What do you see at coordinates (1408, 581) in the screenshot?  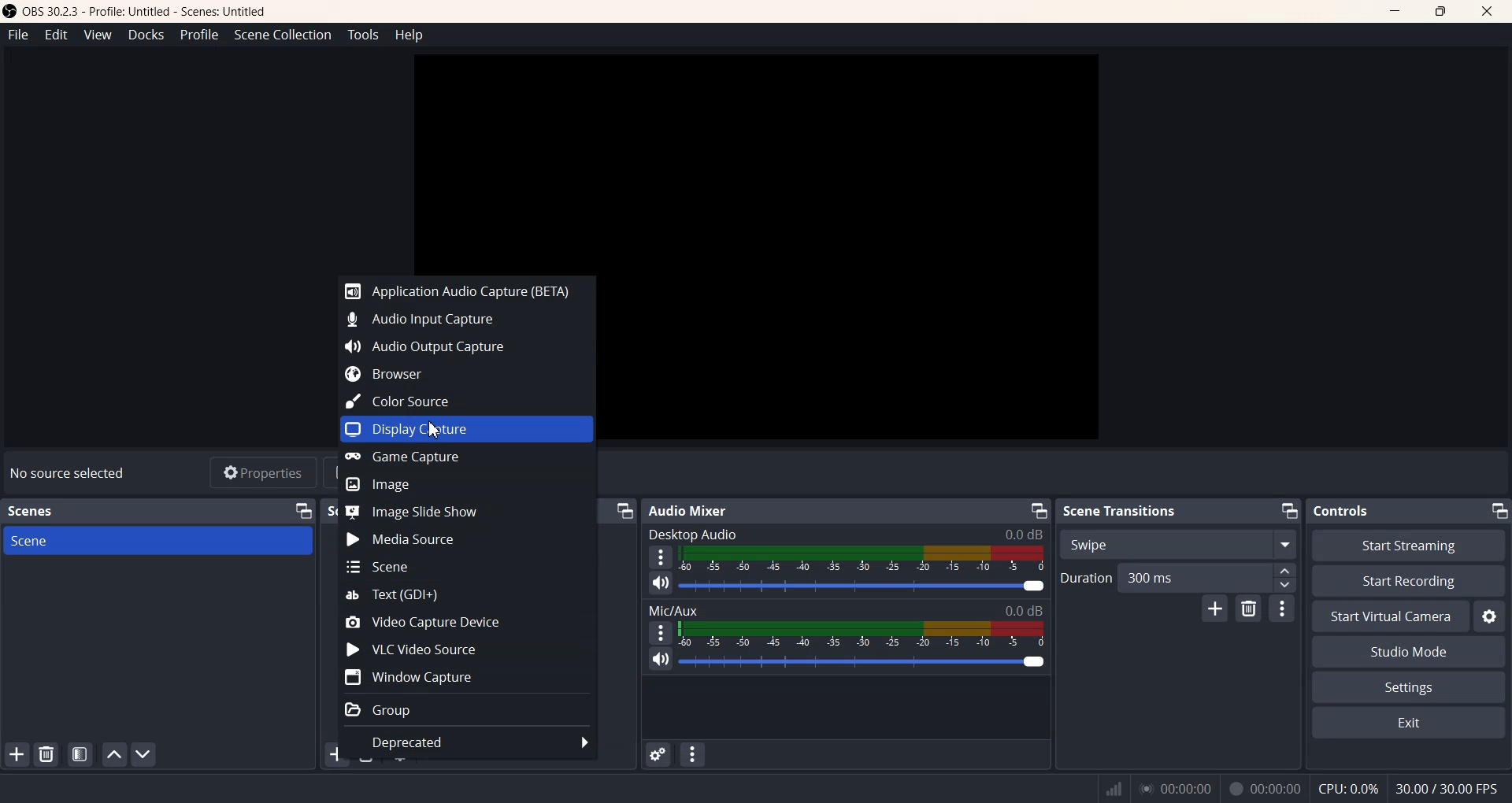 I see `Start Recording` at bounding box center [1408, 581].